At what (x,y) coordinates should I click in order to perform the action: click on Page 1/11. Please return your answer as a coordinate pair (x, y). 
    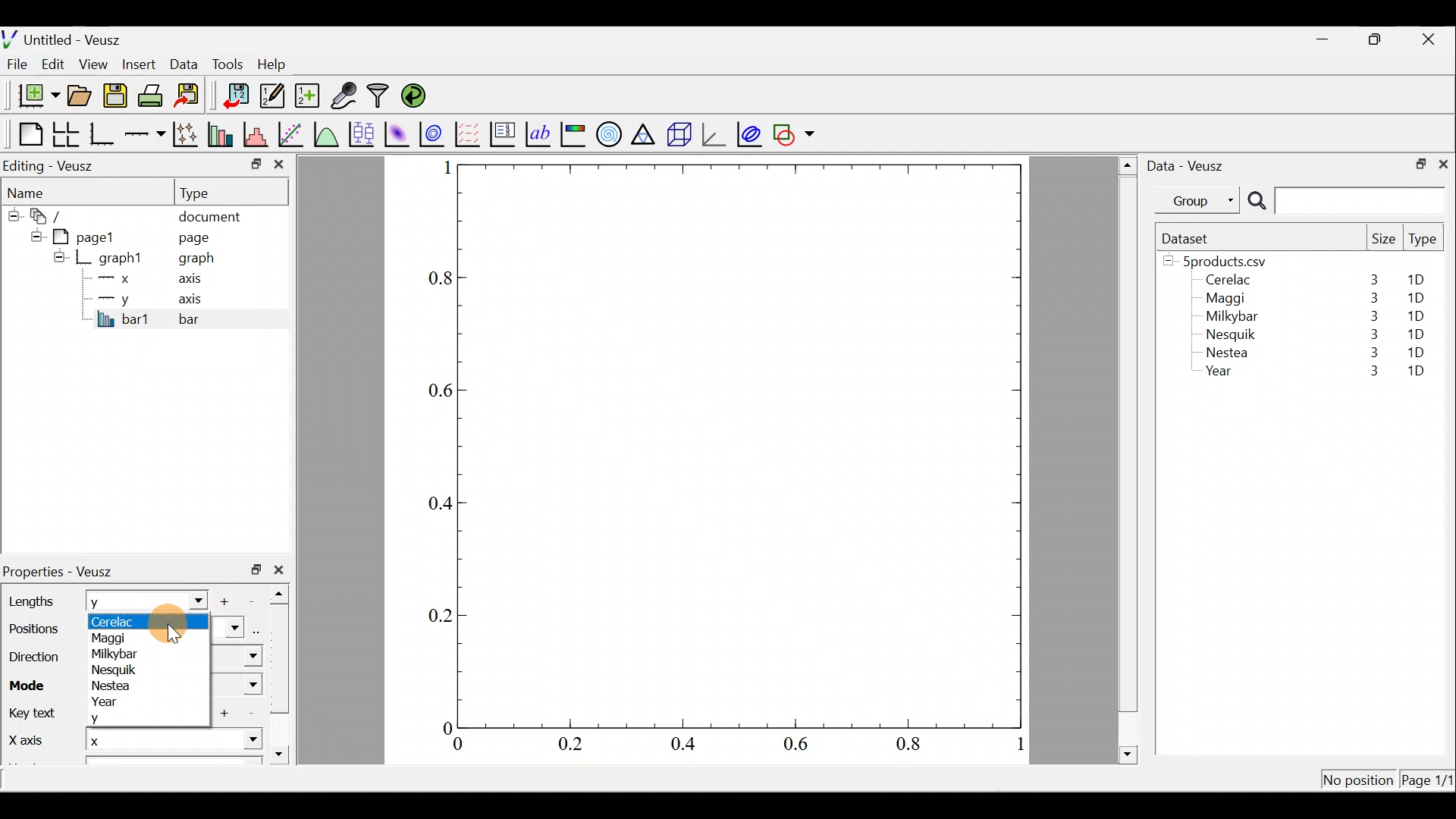
    Looking at the image, I should click on (1429, 783).